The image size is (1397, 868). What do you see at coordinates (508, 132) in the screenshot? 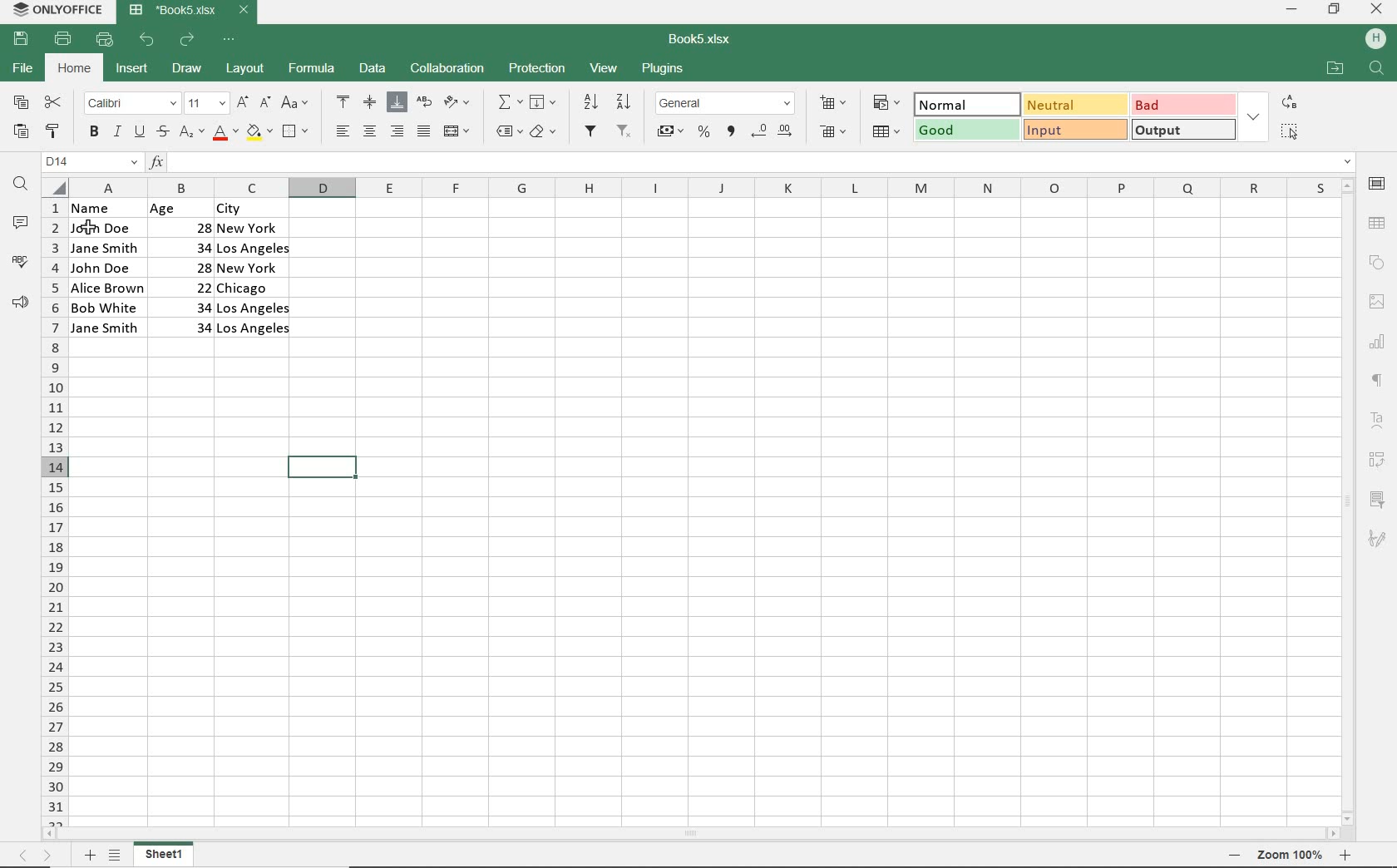
I see `NAMED RANGES` at bounding box center [508, 132].